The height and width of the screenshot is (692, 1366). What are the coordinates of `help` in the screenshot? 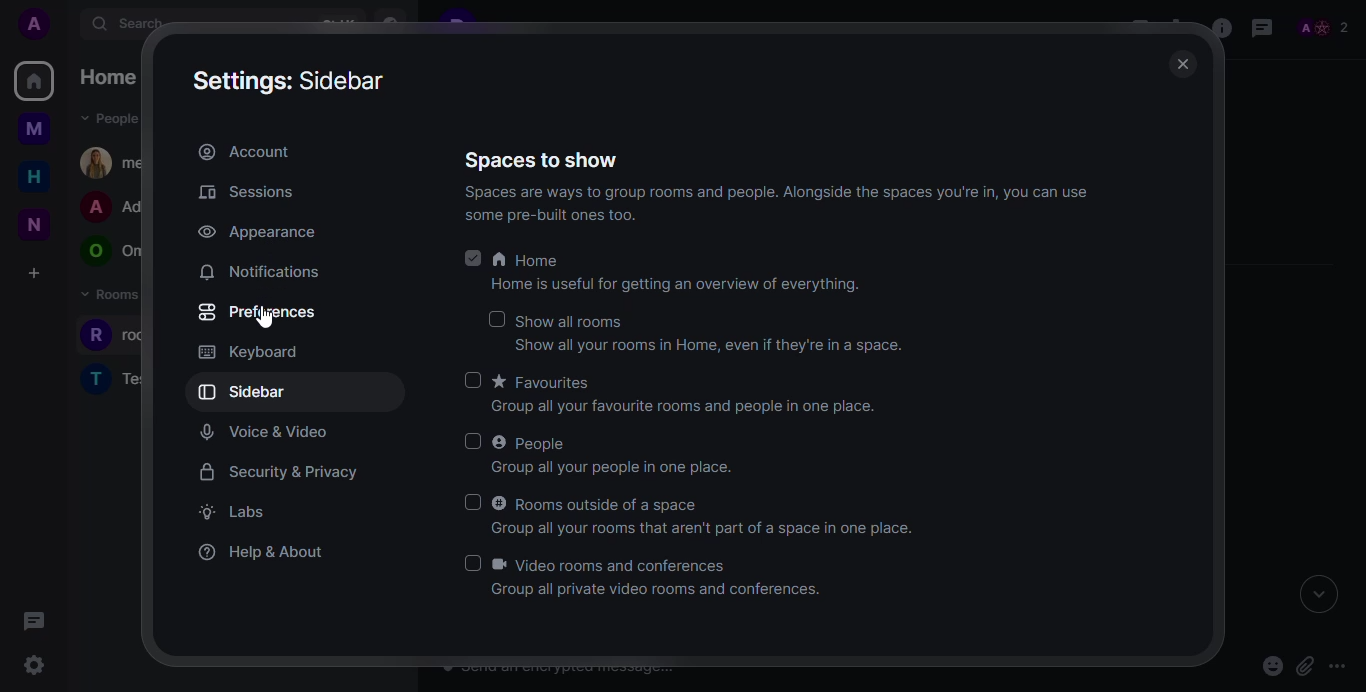 It's located at (263, 549).